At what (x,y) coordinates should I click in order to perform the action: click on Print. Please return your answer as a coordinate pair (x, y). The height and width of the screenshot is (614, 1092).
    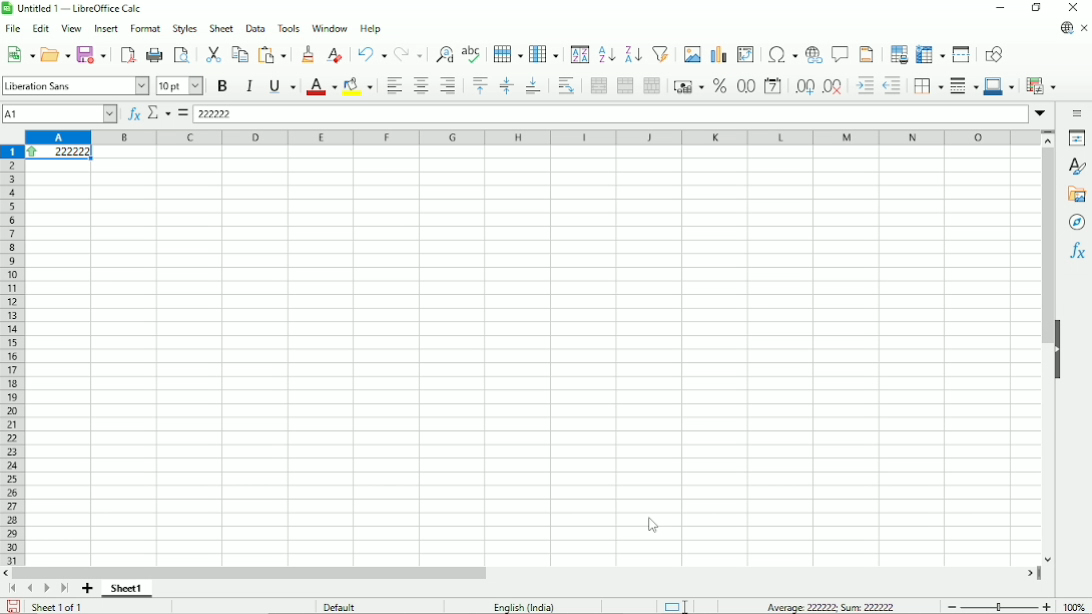
    Looking at the image, I should click on (156, 55).